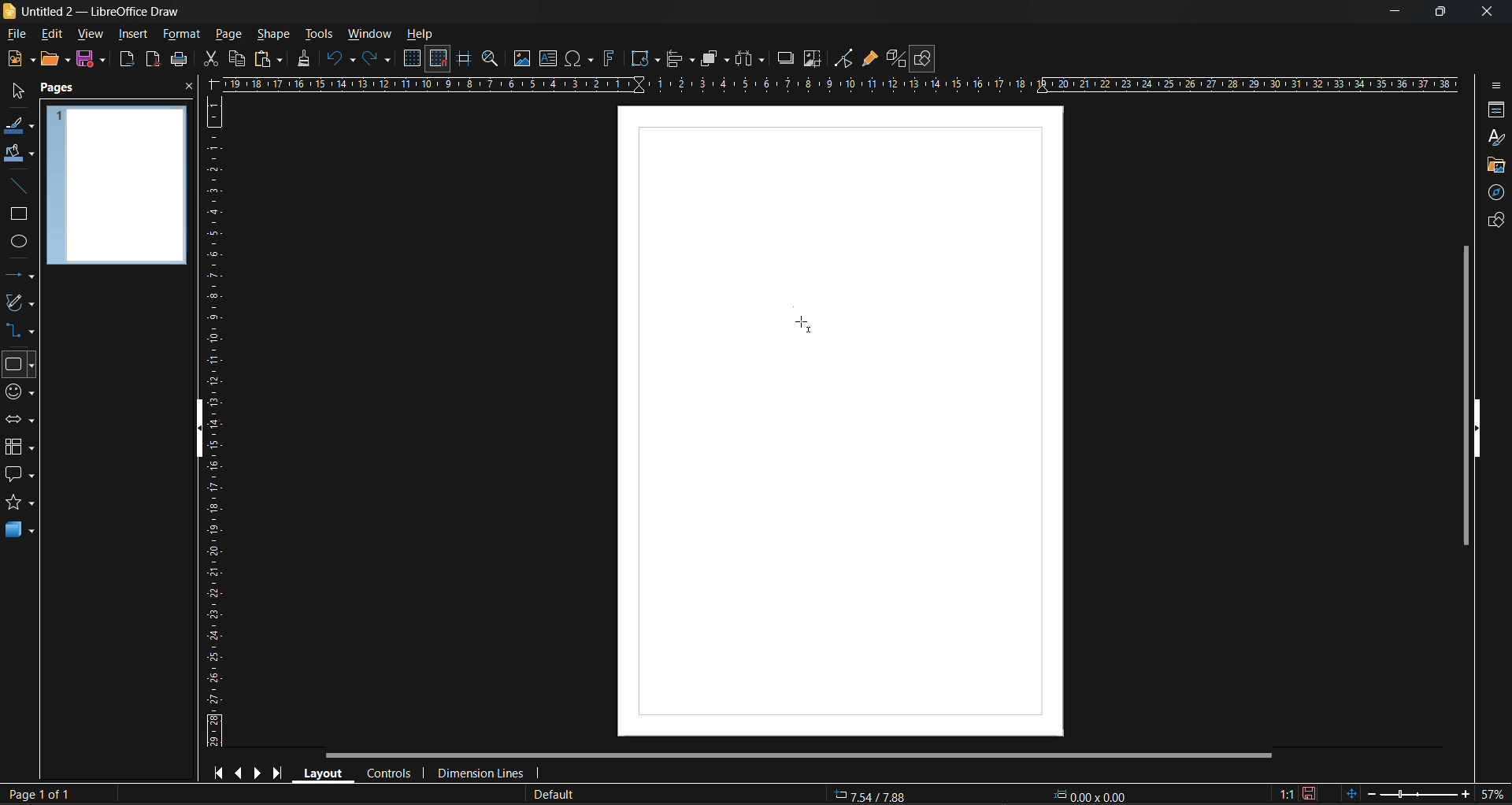 The width and height of the screenshot is (1512, 805). I want to click on next, so click(258, 772).